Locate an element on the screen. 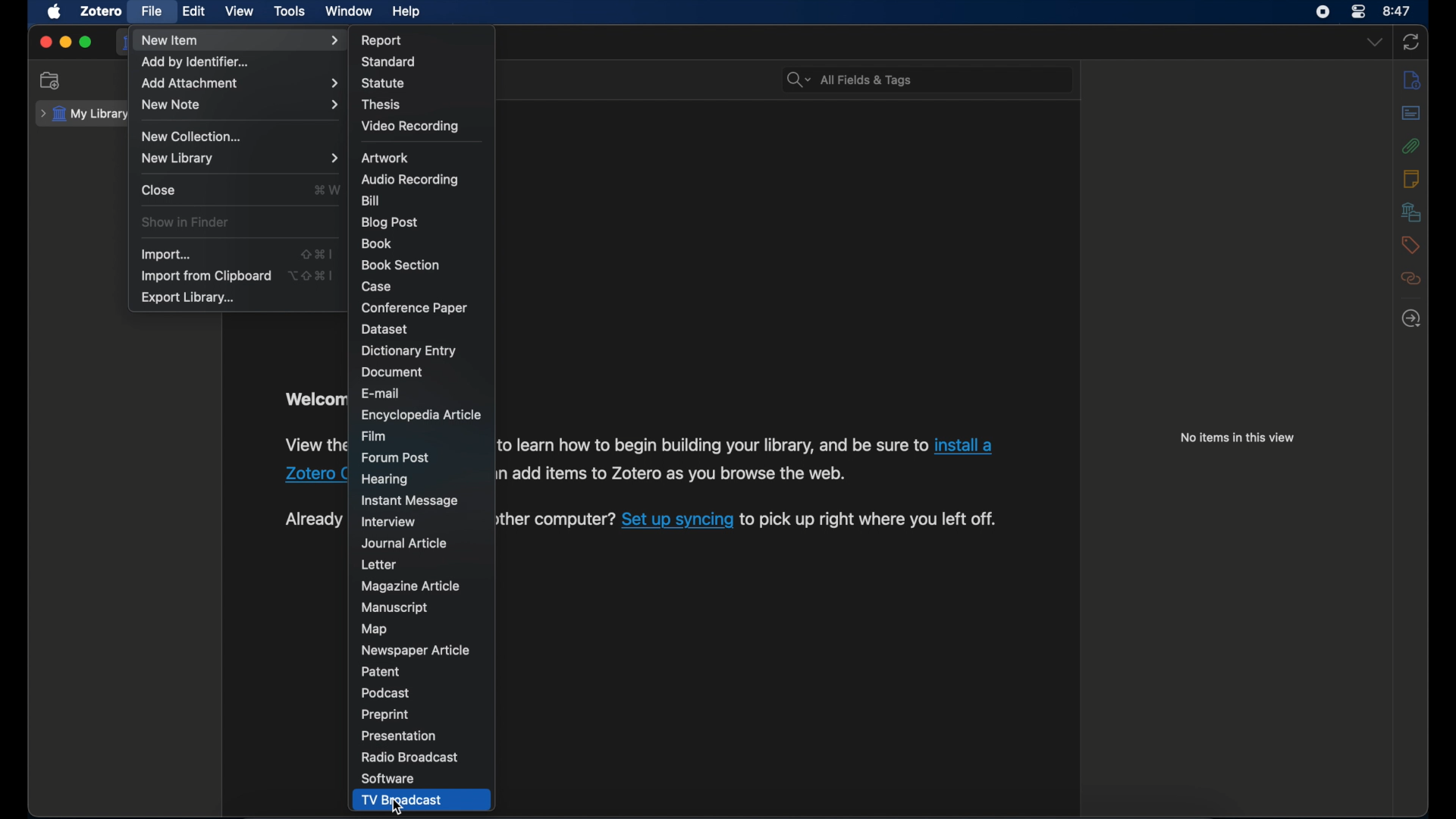 The width and height of the screenshot is (1456, 819). import is located at coordinates (165, 254).